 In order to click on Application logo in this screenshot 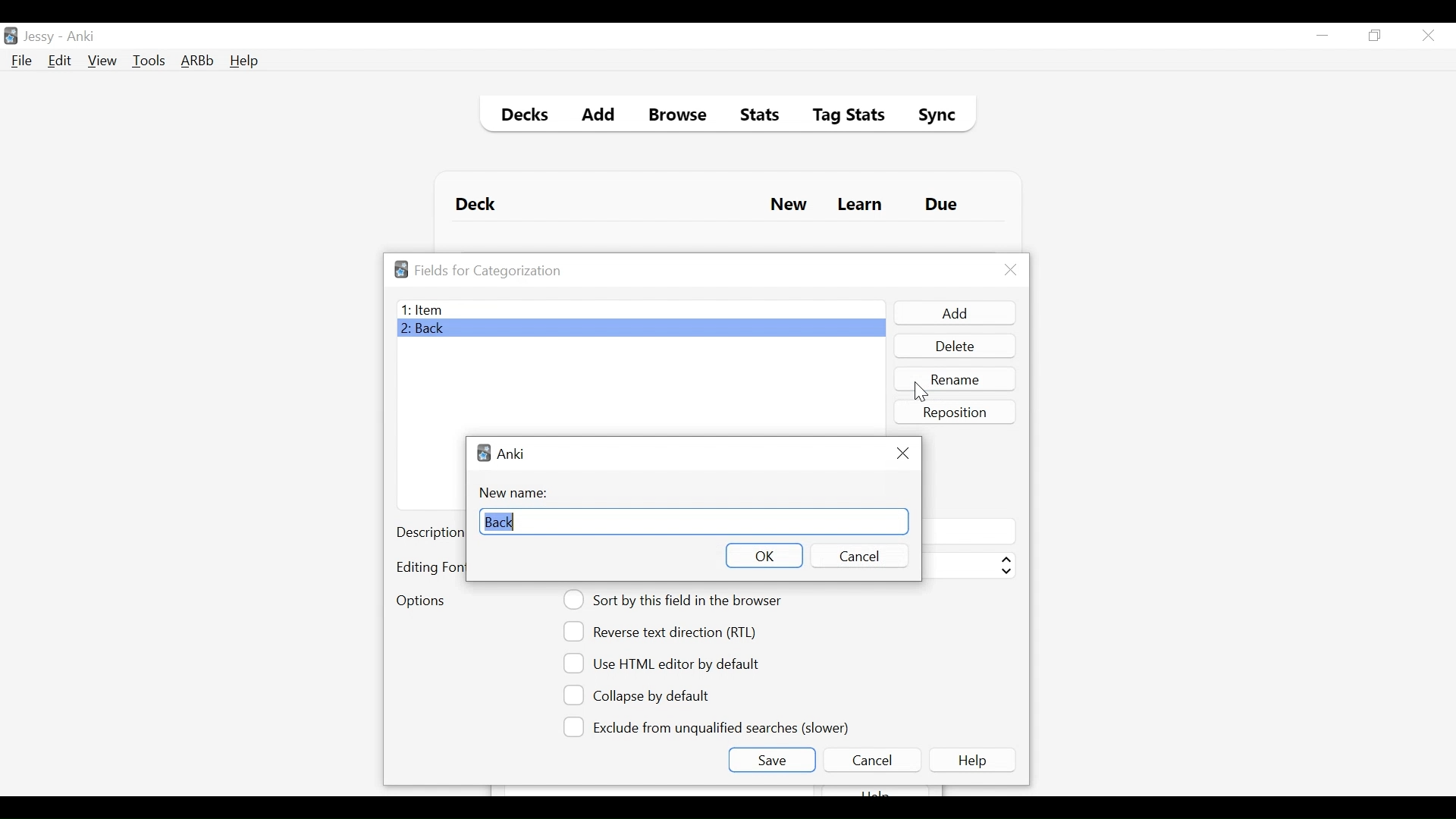, I will do `click(401, 269)`.